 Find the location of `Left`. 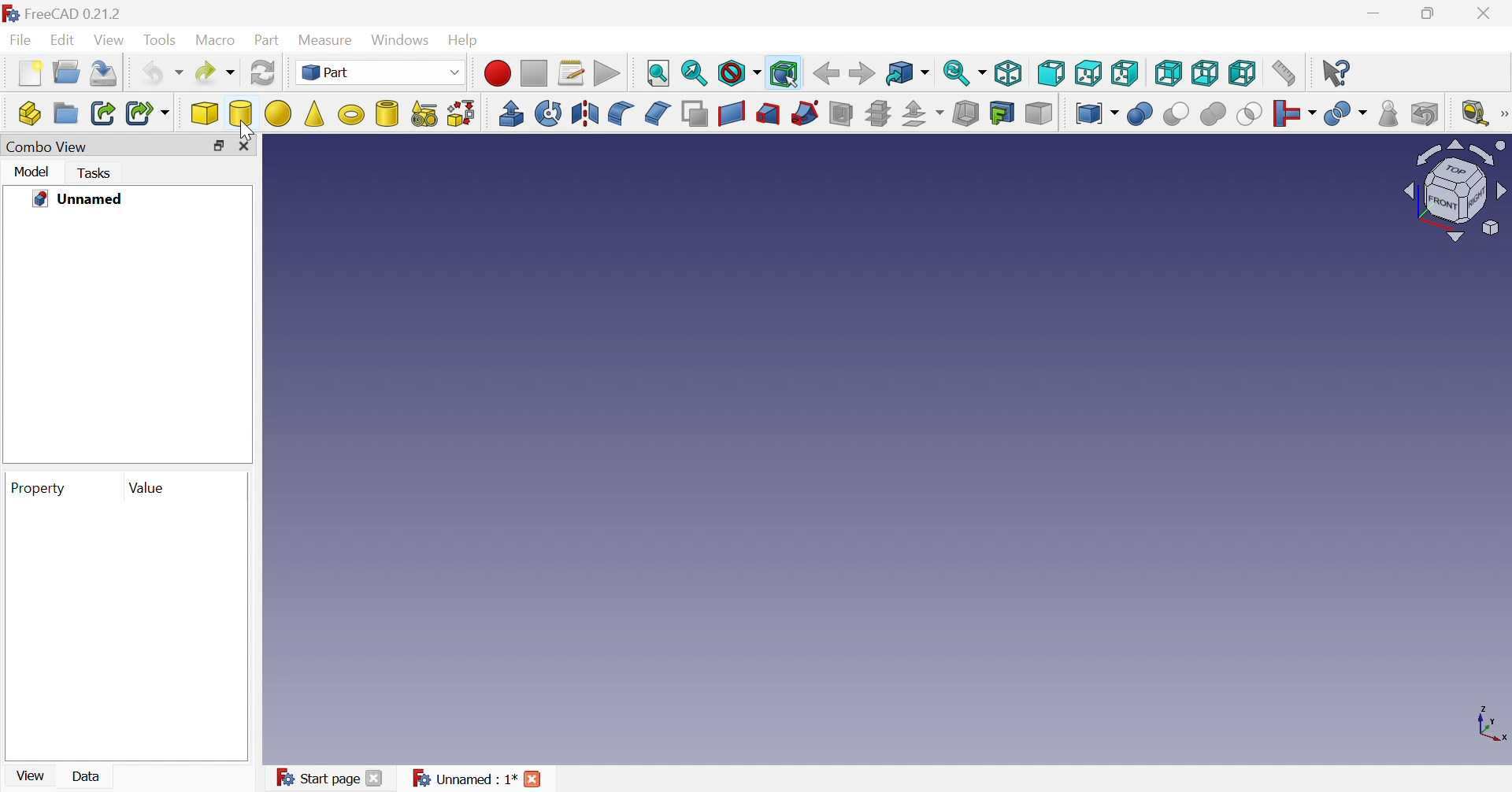

Left is located at coordinates (1243, 75).